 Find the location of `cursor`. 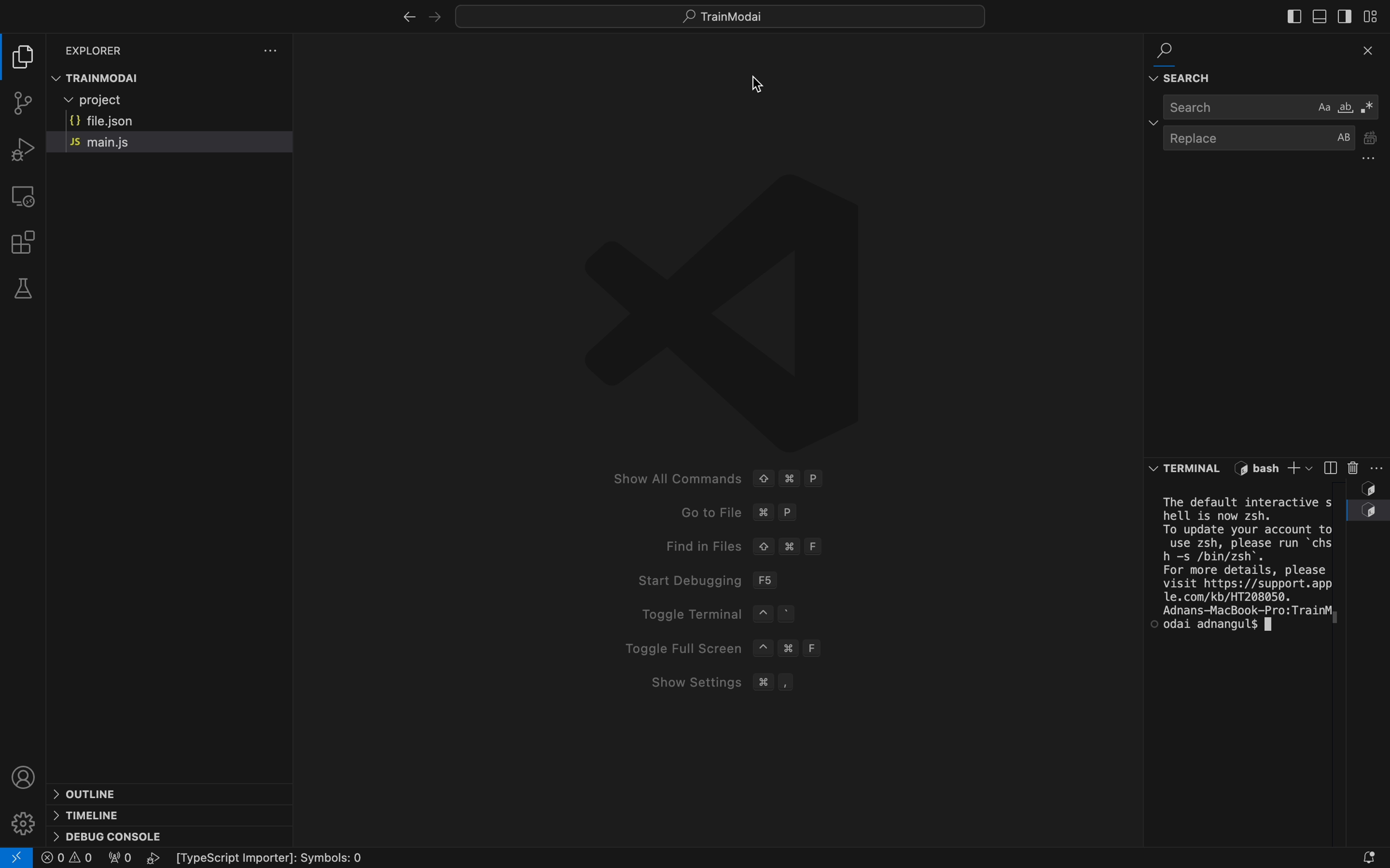

cursor is located at coordinates (755, 87).